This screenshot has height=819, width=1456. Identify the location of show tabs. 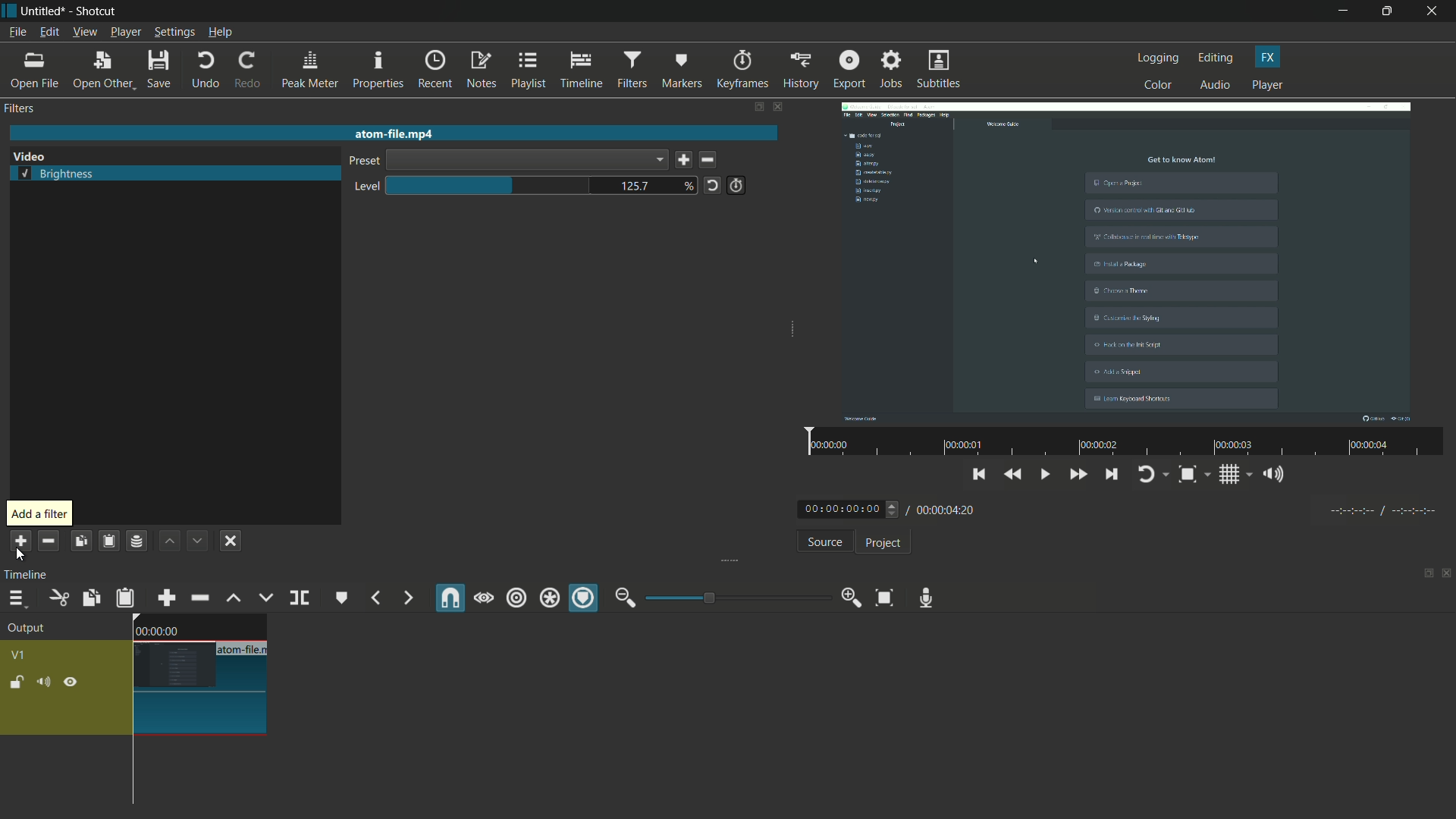
(758, 108).